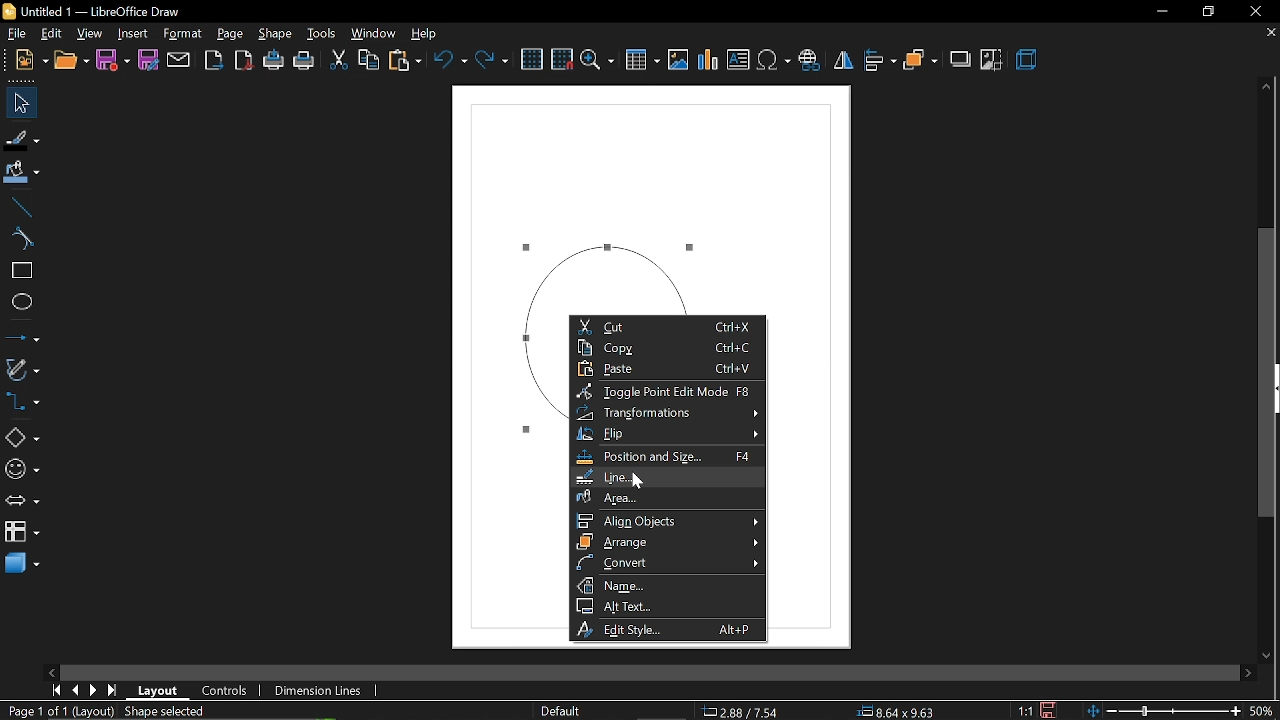 The image size is (1280, 720). Describe the element at coordinates (164, 712) in the screenshot. I see `shape selected` at that location.